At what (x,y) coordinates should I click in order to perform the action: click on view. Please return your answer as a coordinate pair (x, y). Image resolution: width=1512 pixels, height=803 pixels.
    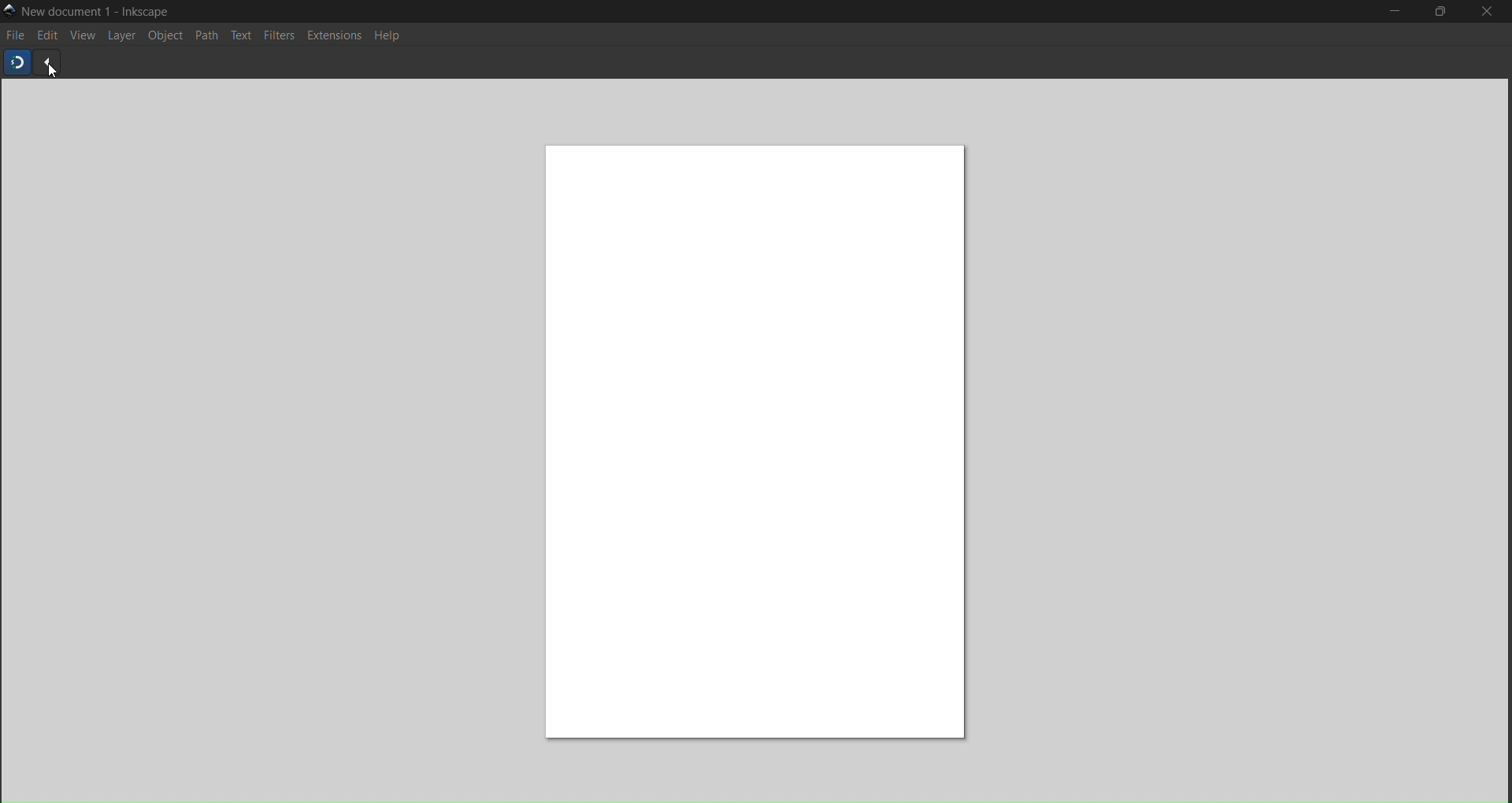
    Looking at the image, I should click on (80, 37).